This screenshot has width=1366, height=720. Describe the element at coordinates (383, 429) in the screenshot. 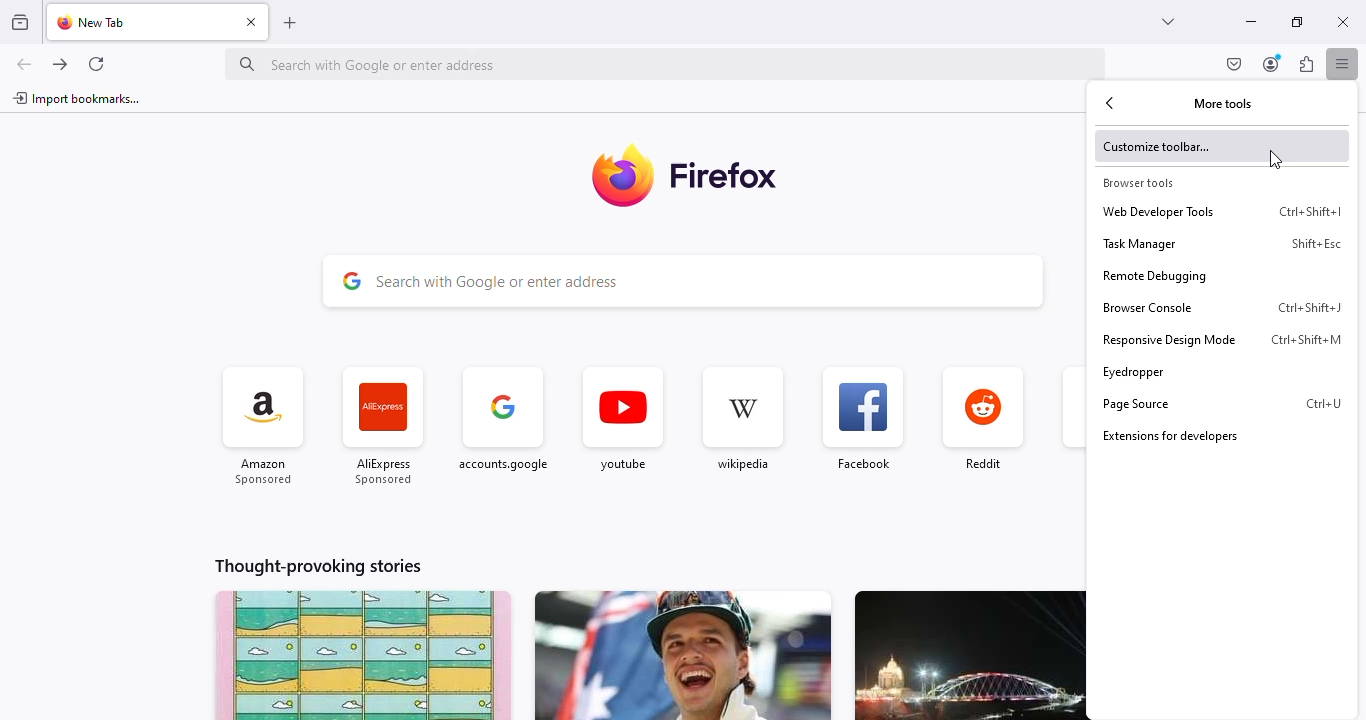

I see `AliExpress` at that location.